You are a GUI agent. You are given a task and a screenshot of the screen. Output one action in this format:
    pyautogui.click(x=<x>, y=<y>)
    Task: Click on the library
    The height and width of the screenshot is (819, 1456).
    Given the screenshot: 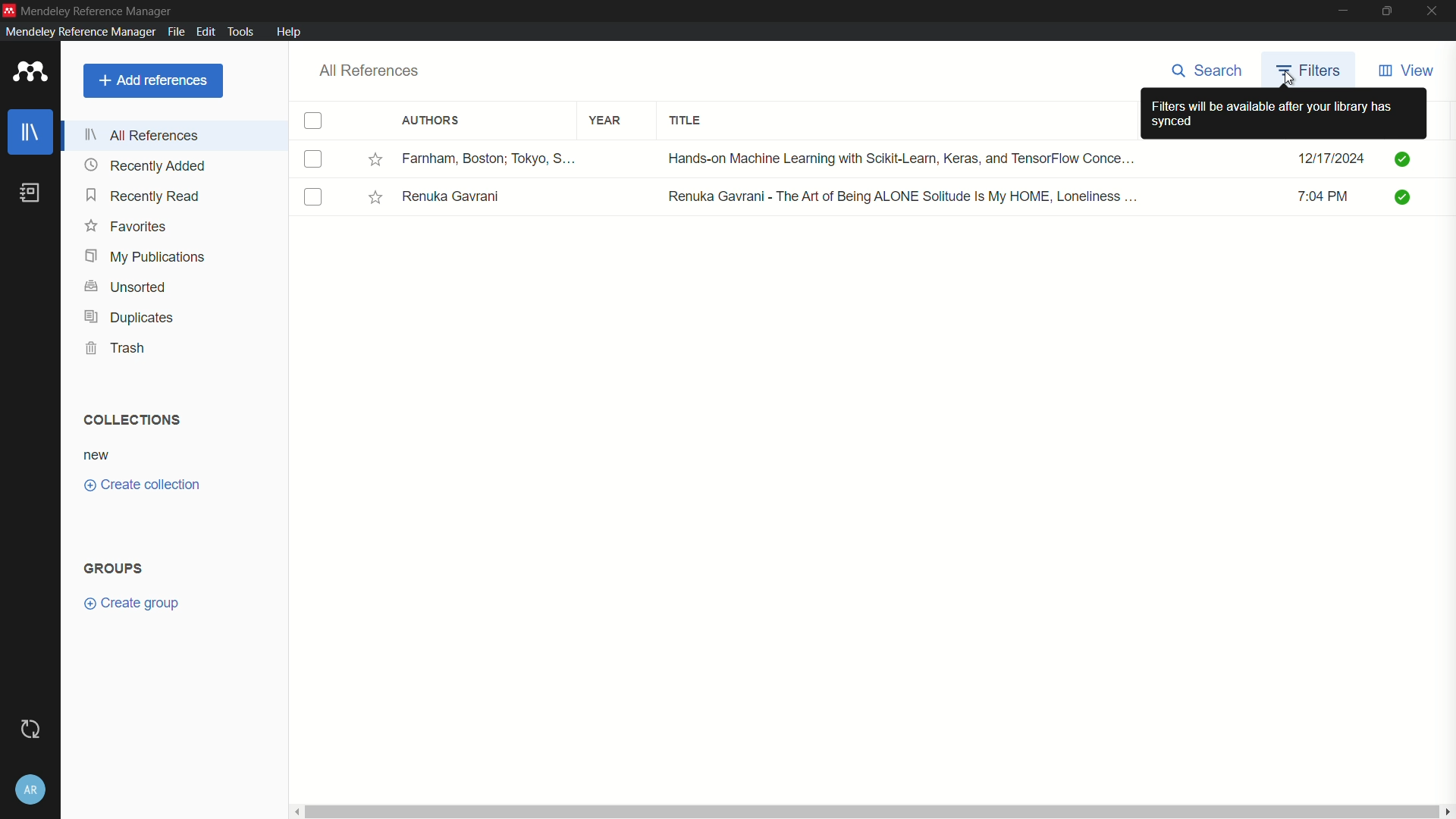 What is the action you would take?
    pyautogui.click(x=33, y=132)
    